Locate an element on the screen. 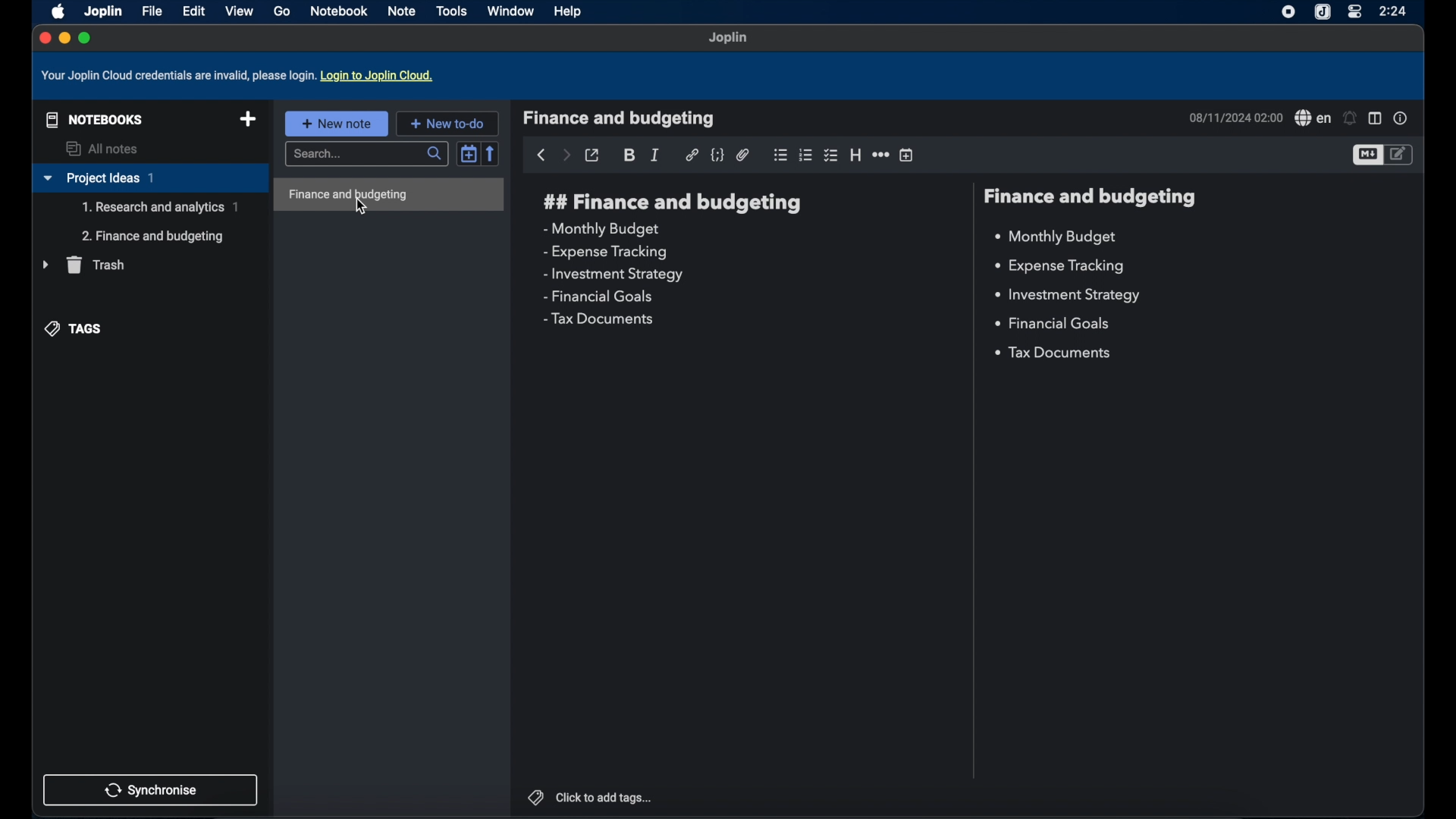 The image size is (1456, 819). your joplin cloud credentials are invalid, please log in.  log in to joplin cloud is located at coordinates (240, 76).